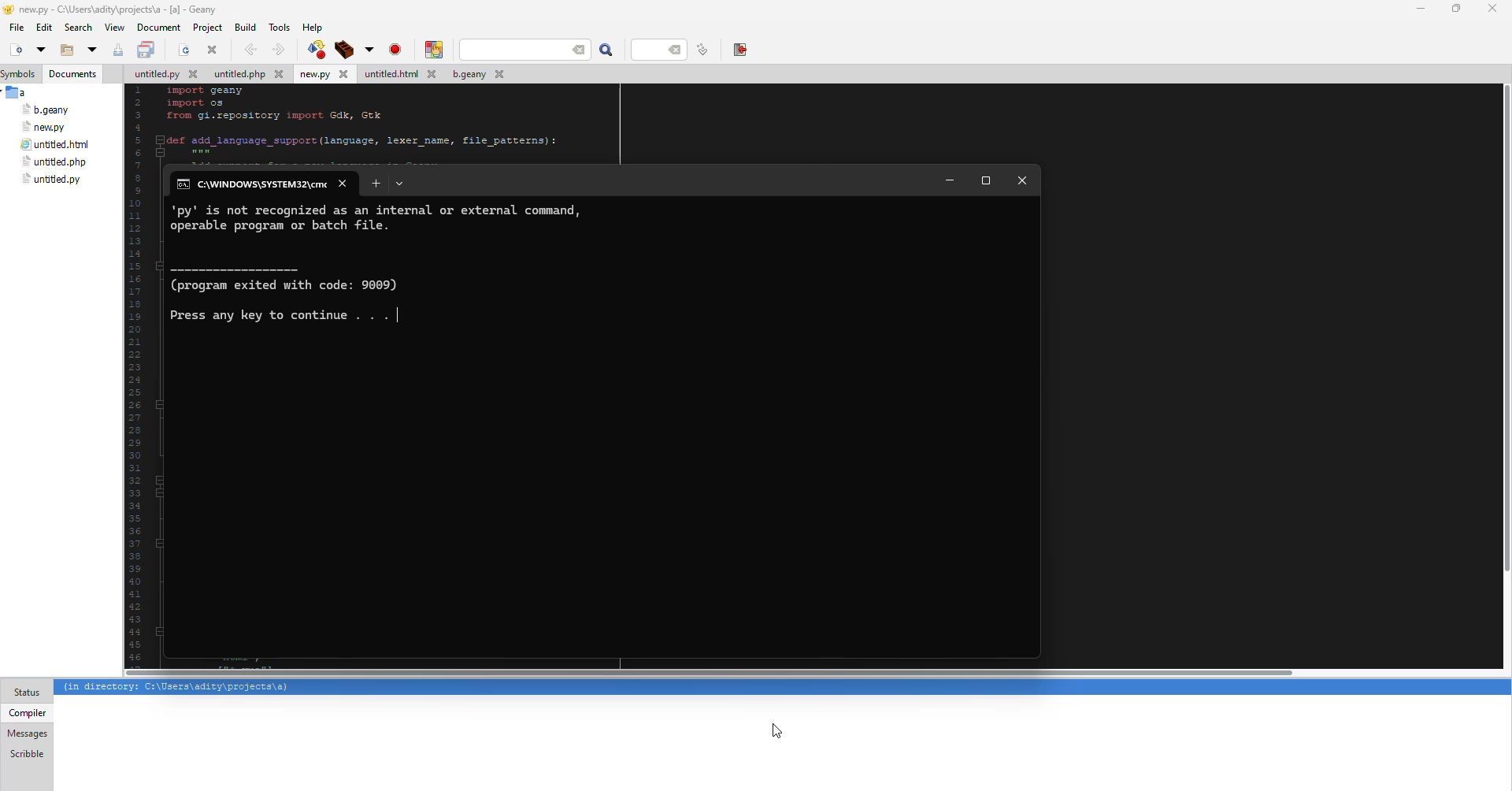 The height and width of the screenshot is (791, 1512). I want to click on file, so click(19, 27).